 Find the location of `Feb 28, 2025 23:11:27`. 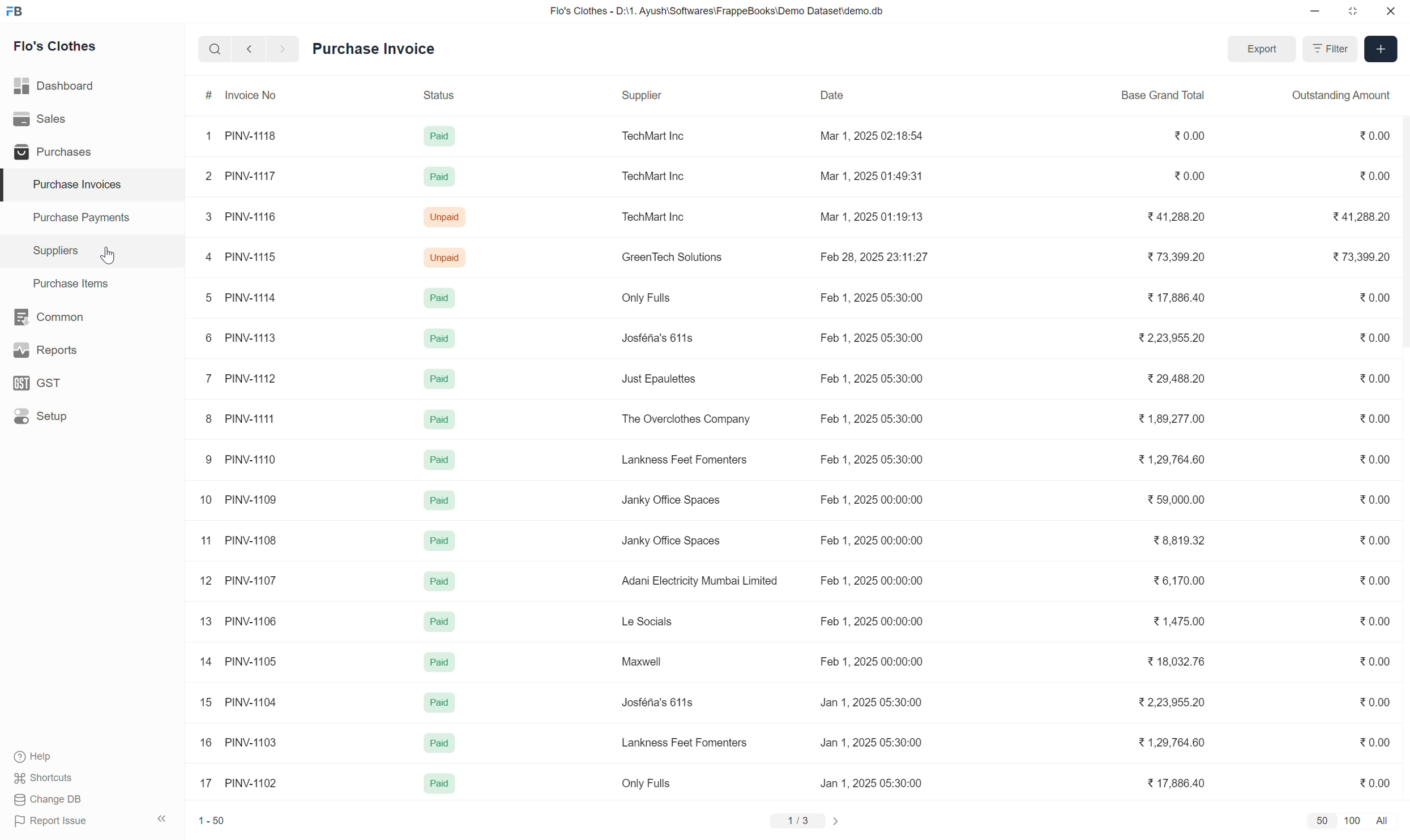

Feb 28, 2025 23:11:27 is located at coordinates (875, 259).